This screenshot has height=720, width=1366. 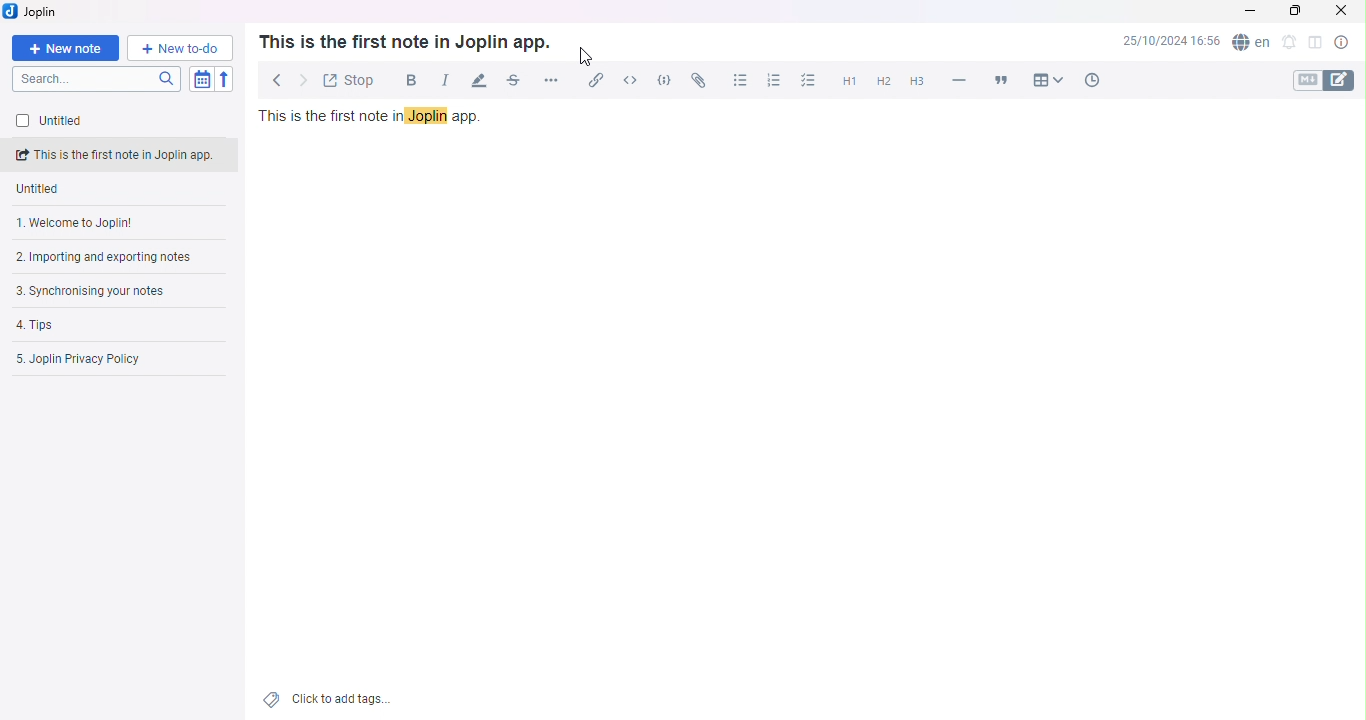 I want to click on Insert/edit link, so click(x=592, y=82).